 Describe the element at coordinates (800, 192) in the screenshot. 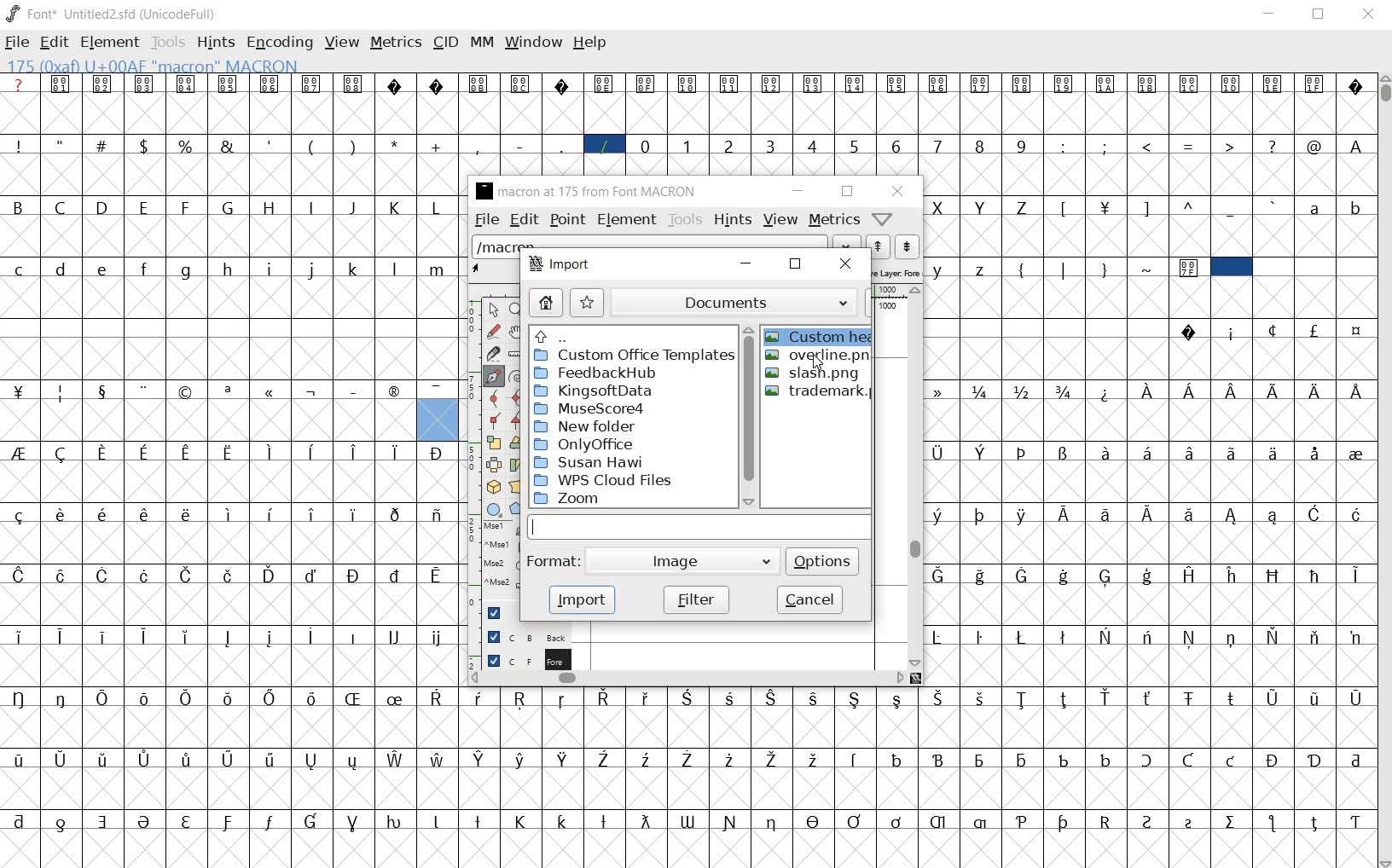

I see `minimize` at that location.